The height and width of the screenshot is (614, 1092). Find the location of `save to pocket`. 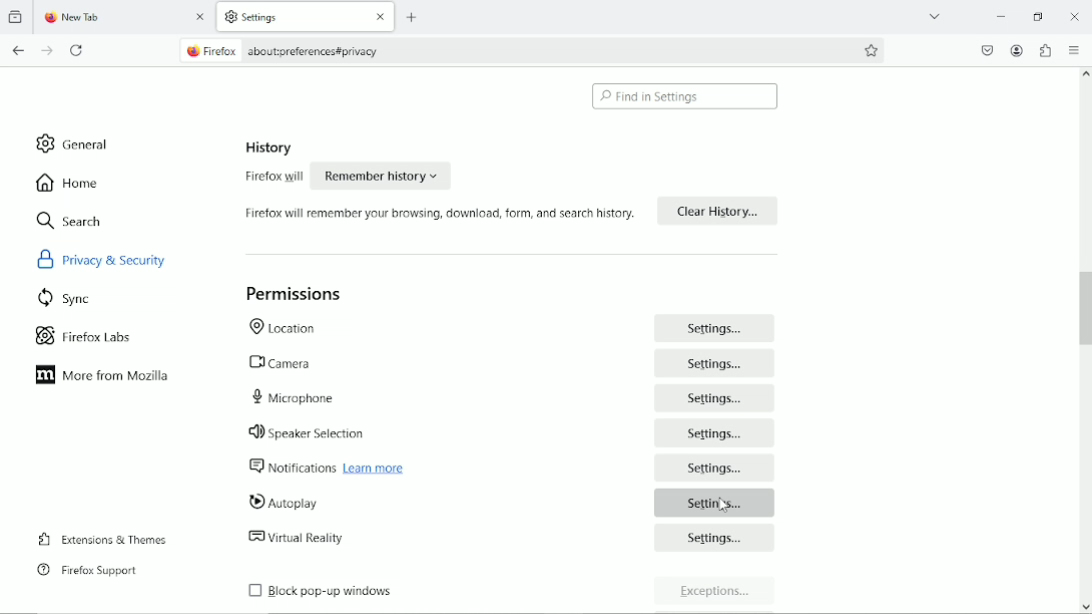

save to pocket is located at coordinates (986, 48).